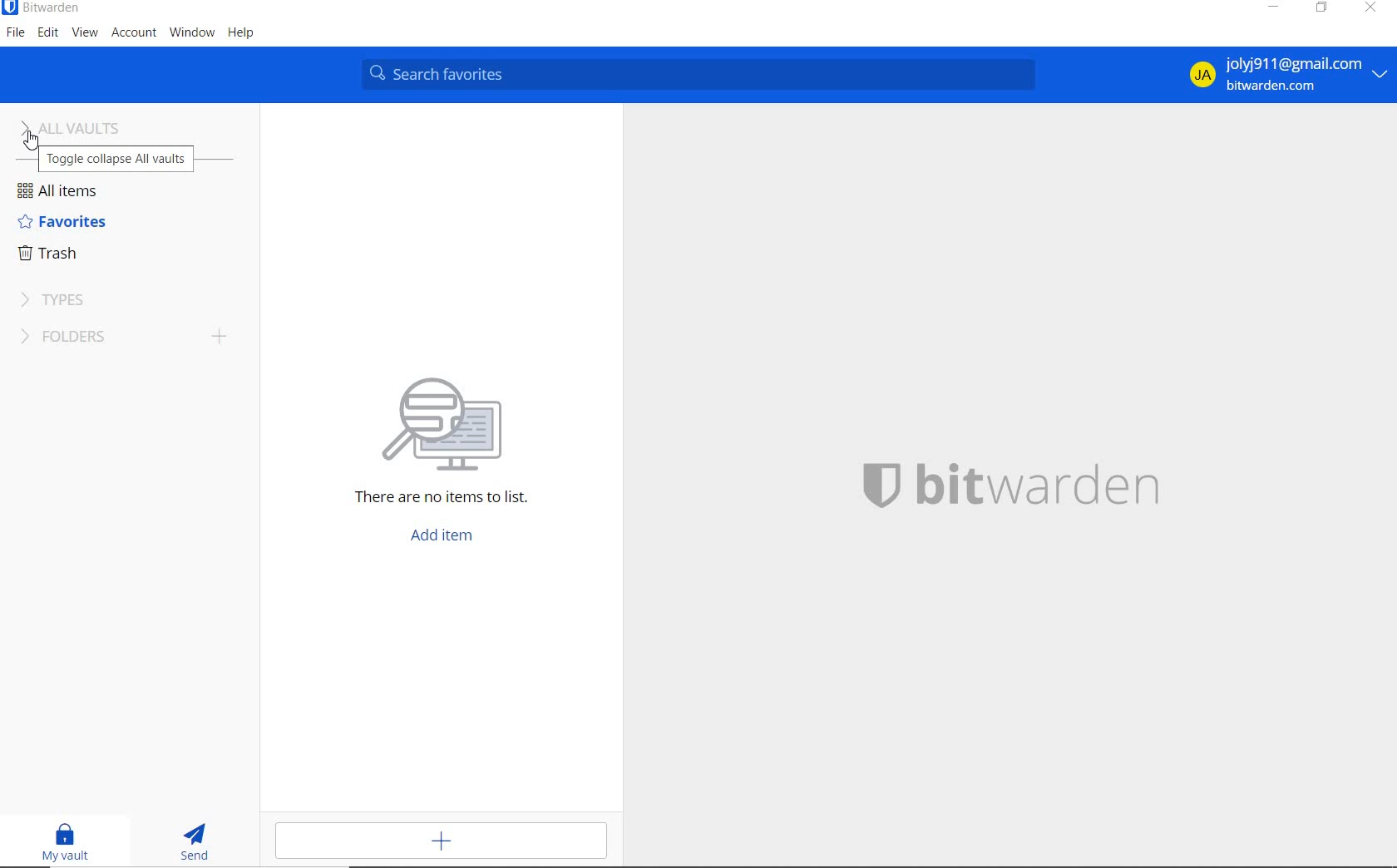 The width and height of the screenshot is (1397, 868). What do you see at coordinates (225, 340) in the screenshot?
I see `add folder` at bounding box center [225, 340].